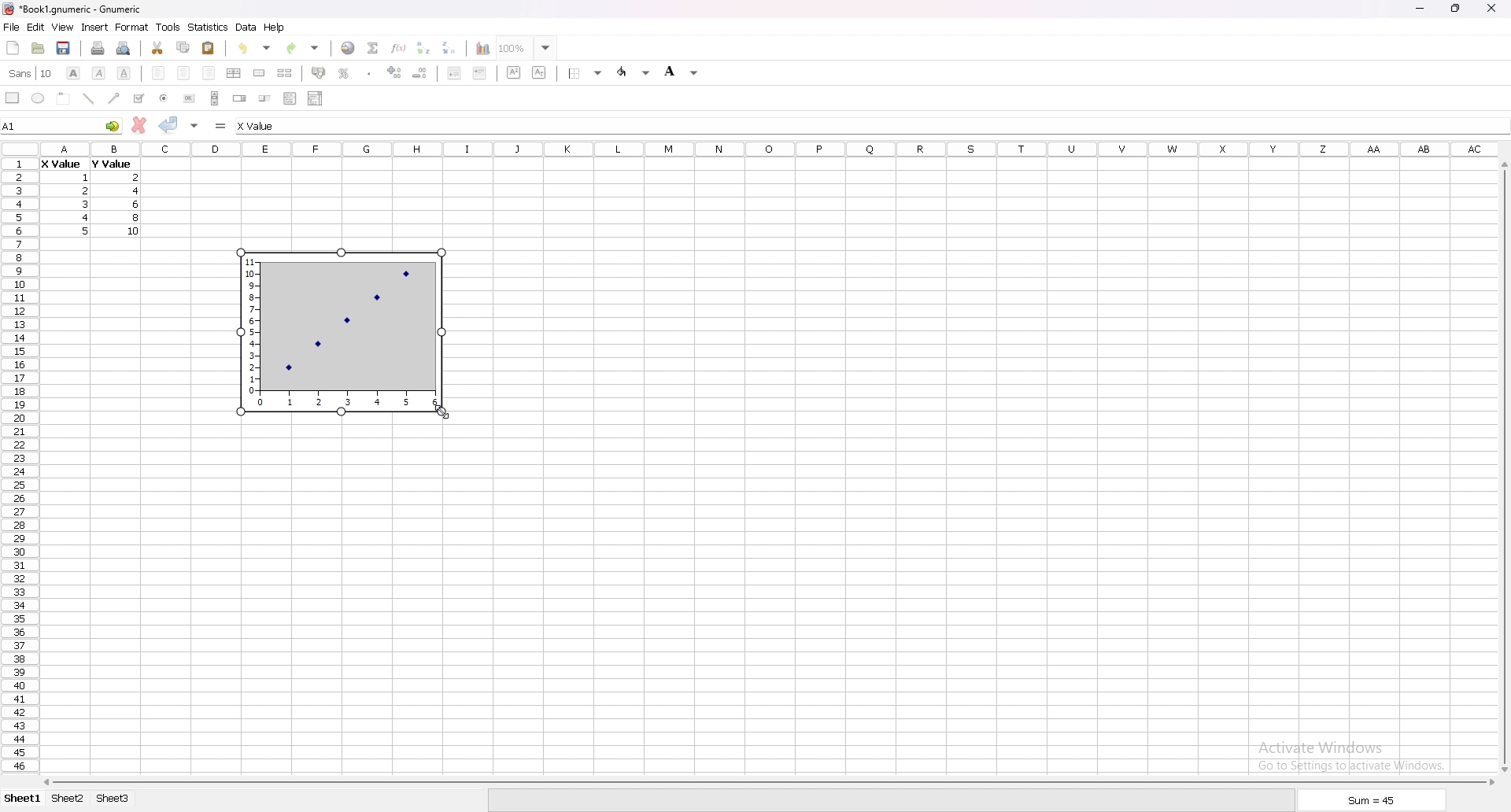  What do you see at coordinates (401, 47) in the screenshot?
I see `function` at bounding box center [401, 47].